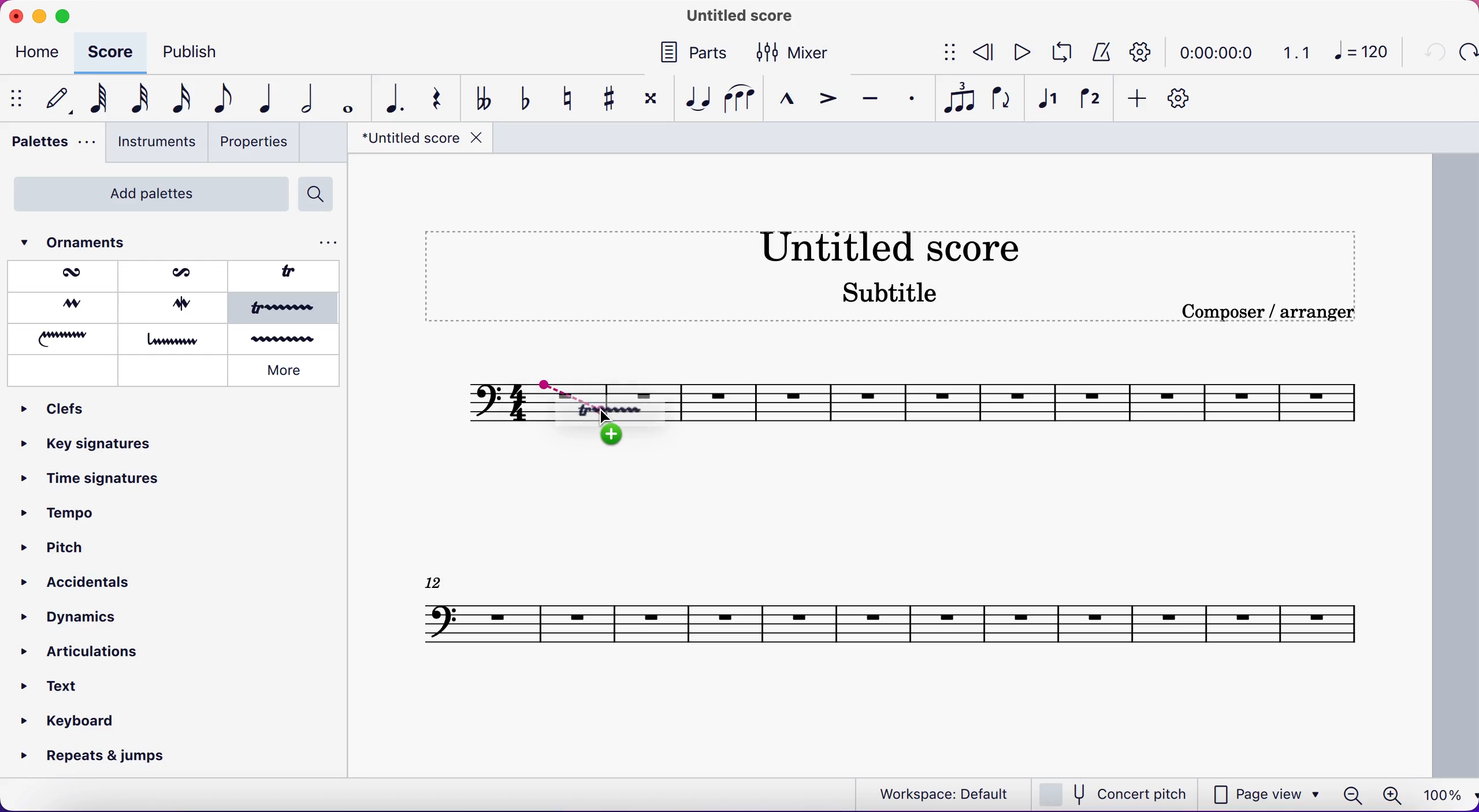 This screenshot has width=1479, height=812. What do you see at coordinates (289, 273) in the screenshot?
I see `trill` at bounding box center [289, 273].